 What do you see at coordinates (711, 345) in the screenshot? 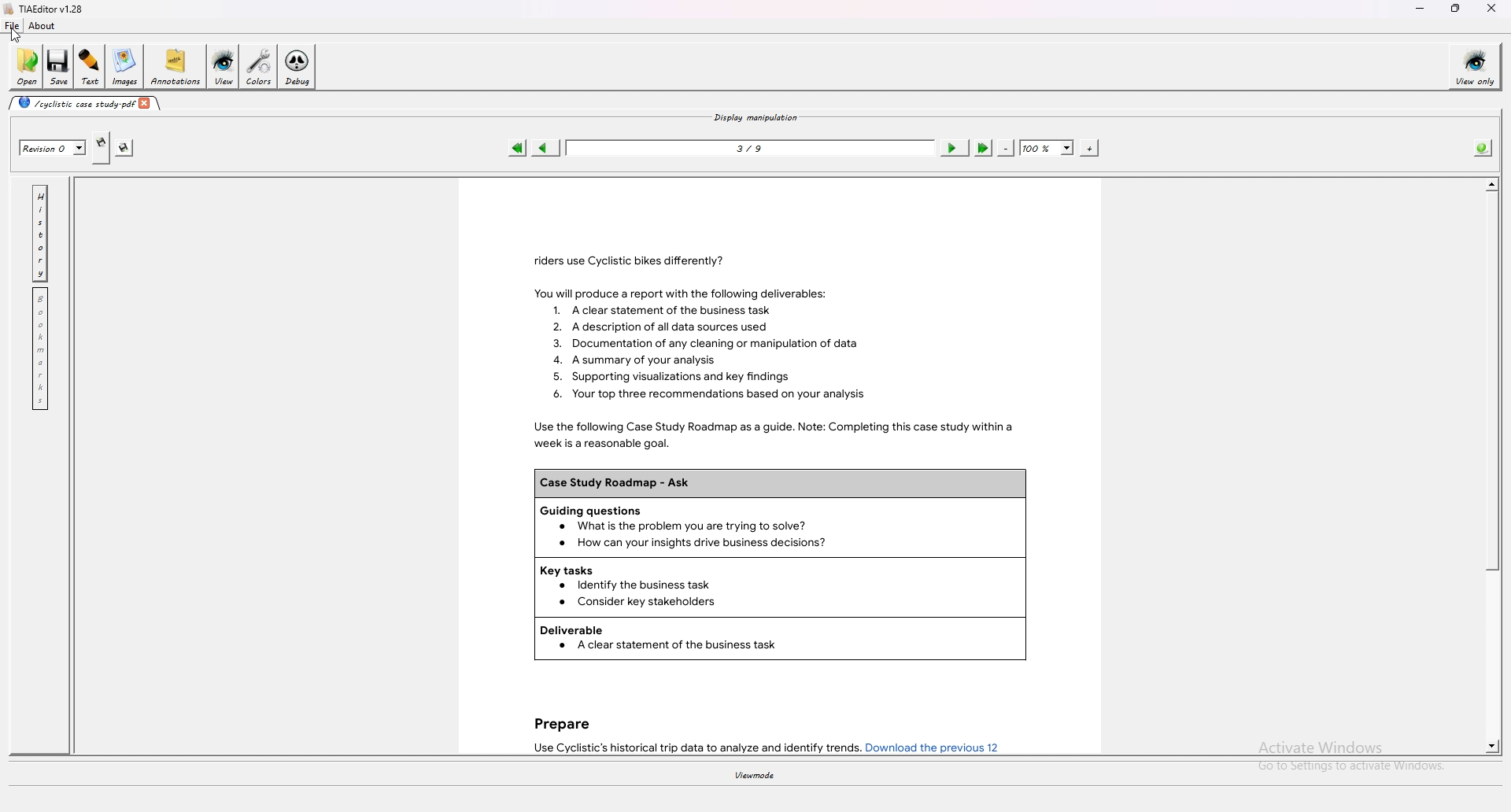
I see `You will produce a report with the following deliverables:
1. Aclear statement of the business task
2. A description of all data sources used
3. Documentation of any cleaning or manipulation of data
4. A summary of your analysis
5. Supporting visualizations and key findings
6. Your top three recommendations based on your analysis` at bounding box center [711, 345].